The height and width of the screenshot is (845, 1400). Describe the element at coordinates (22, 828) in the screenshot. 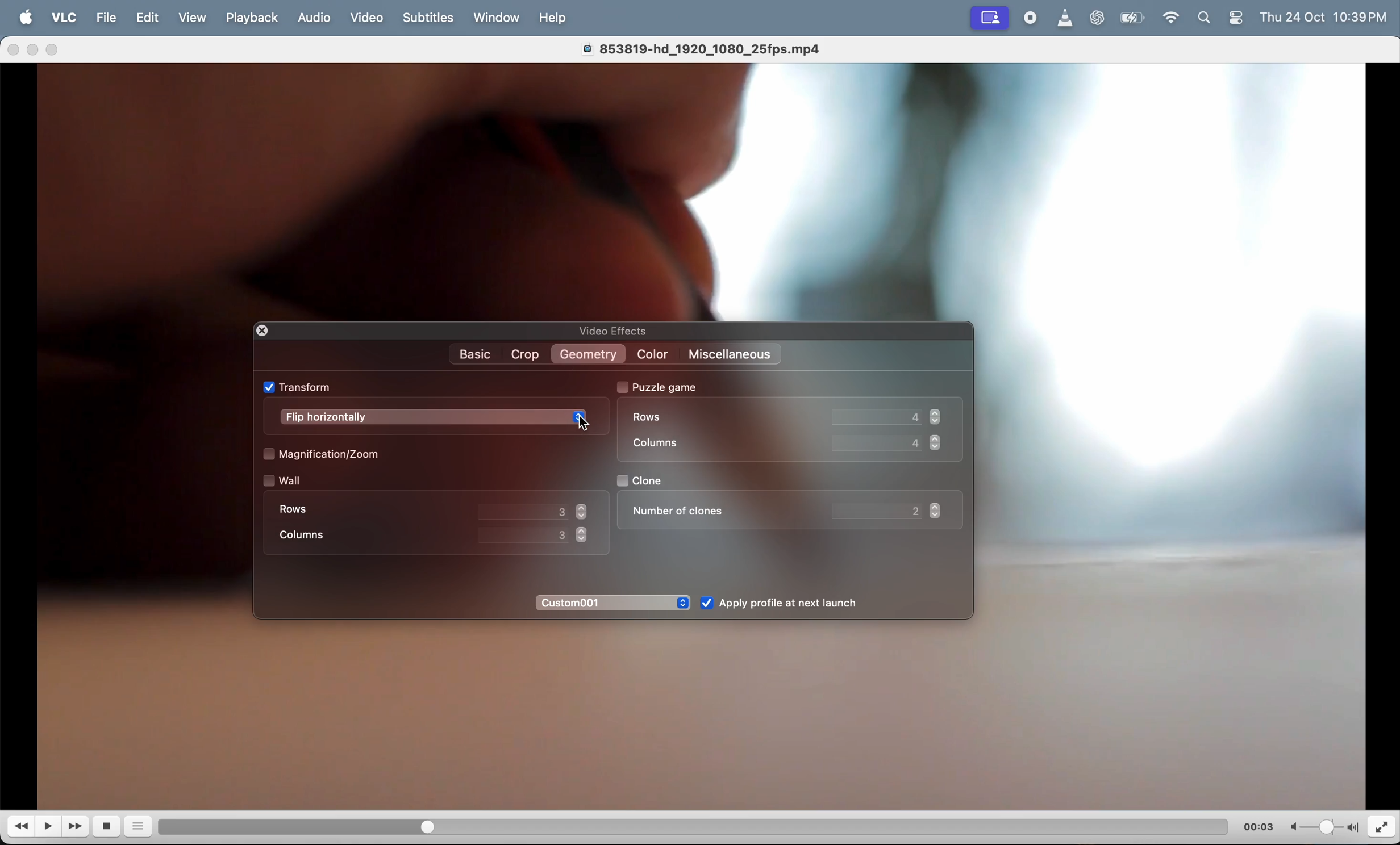

I see `reverse` at that location.